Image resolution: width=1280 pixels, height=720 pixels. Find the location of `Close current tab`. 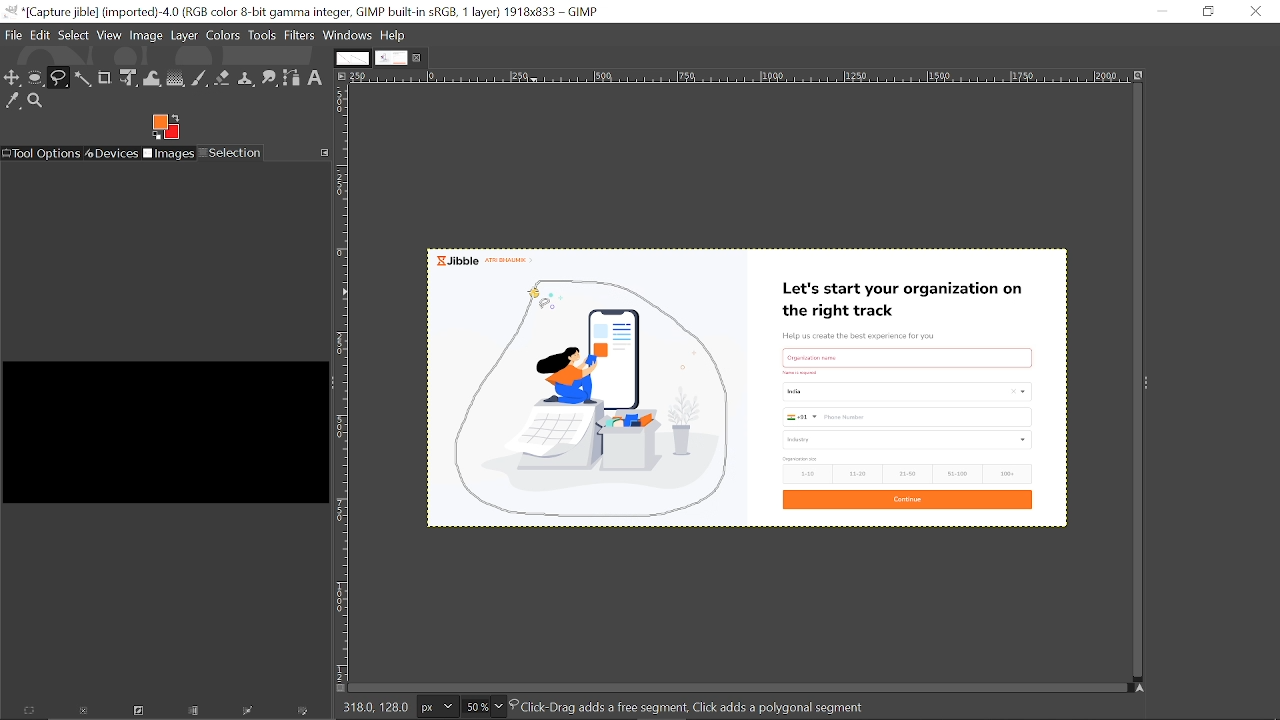

Close current tab is located at coordinates (419, 61).